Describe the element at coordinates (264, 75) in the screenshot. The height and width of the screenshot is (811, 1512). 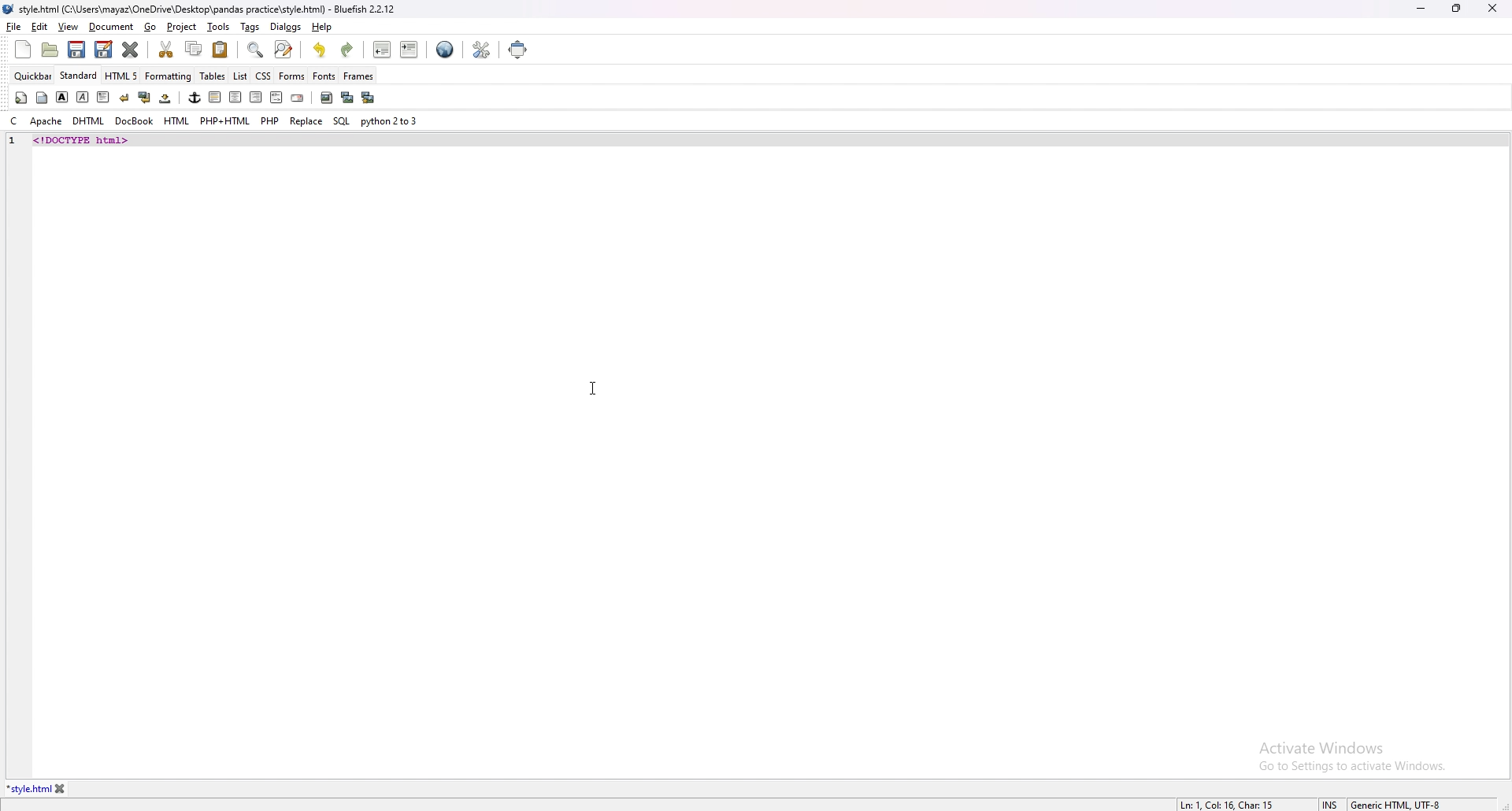
I see `css` at that location.